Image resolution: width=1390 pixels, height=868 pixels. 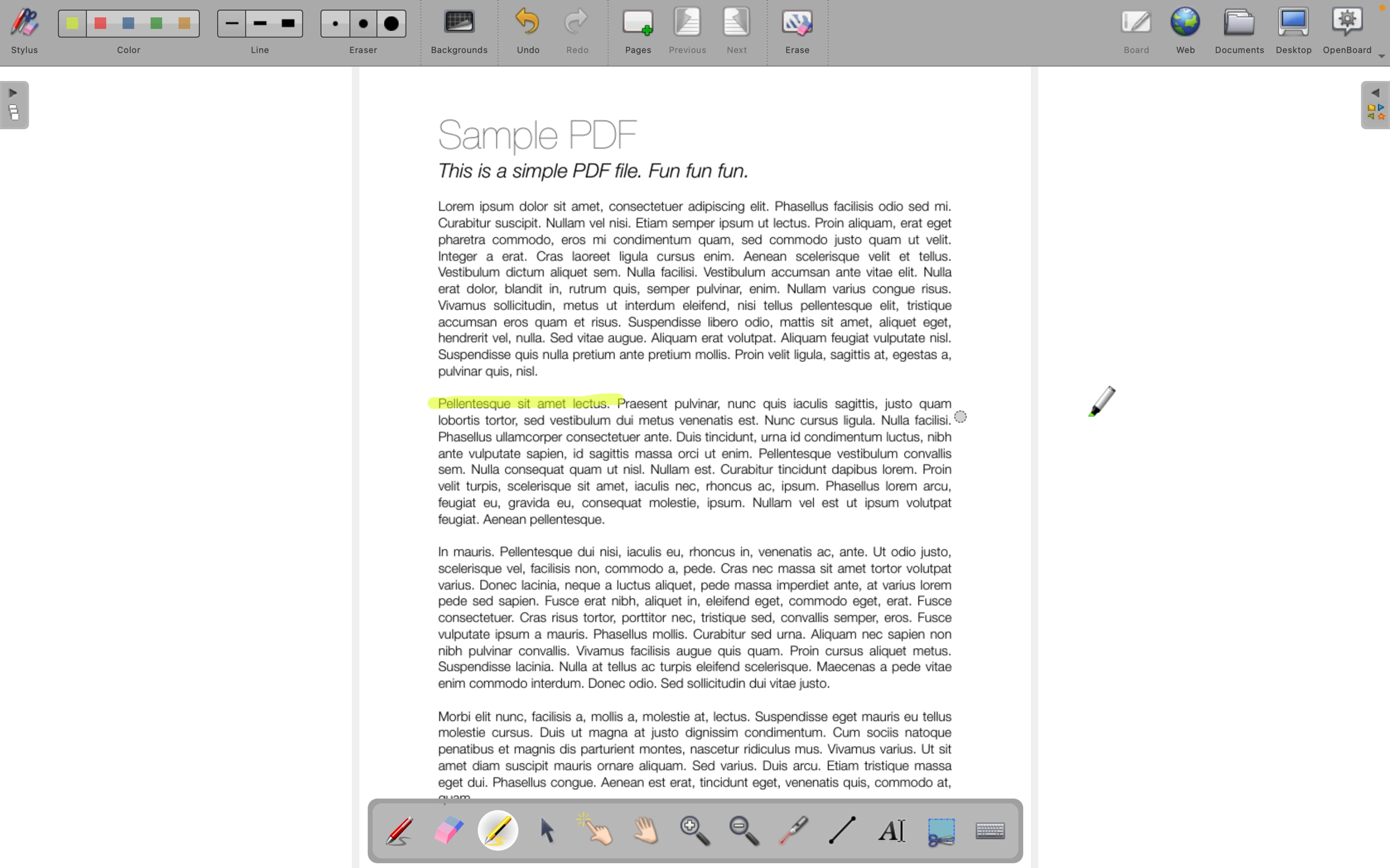 What do you see at coordinates (698, 608) in the screenshot?
I see `text` at bounding box center [698, 608].